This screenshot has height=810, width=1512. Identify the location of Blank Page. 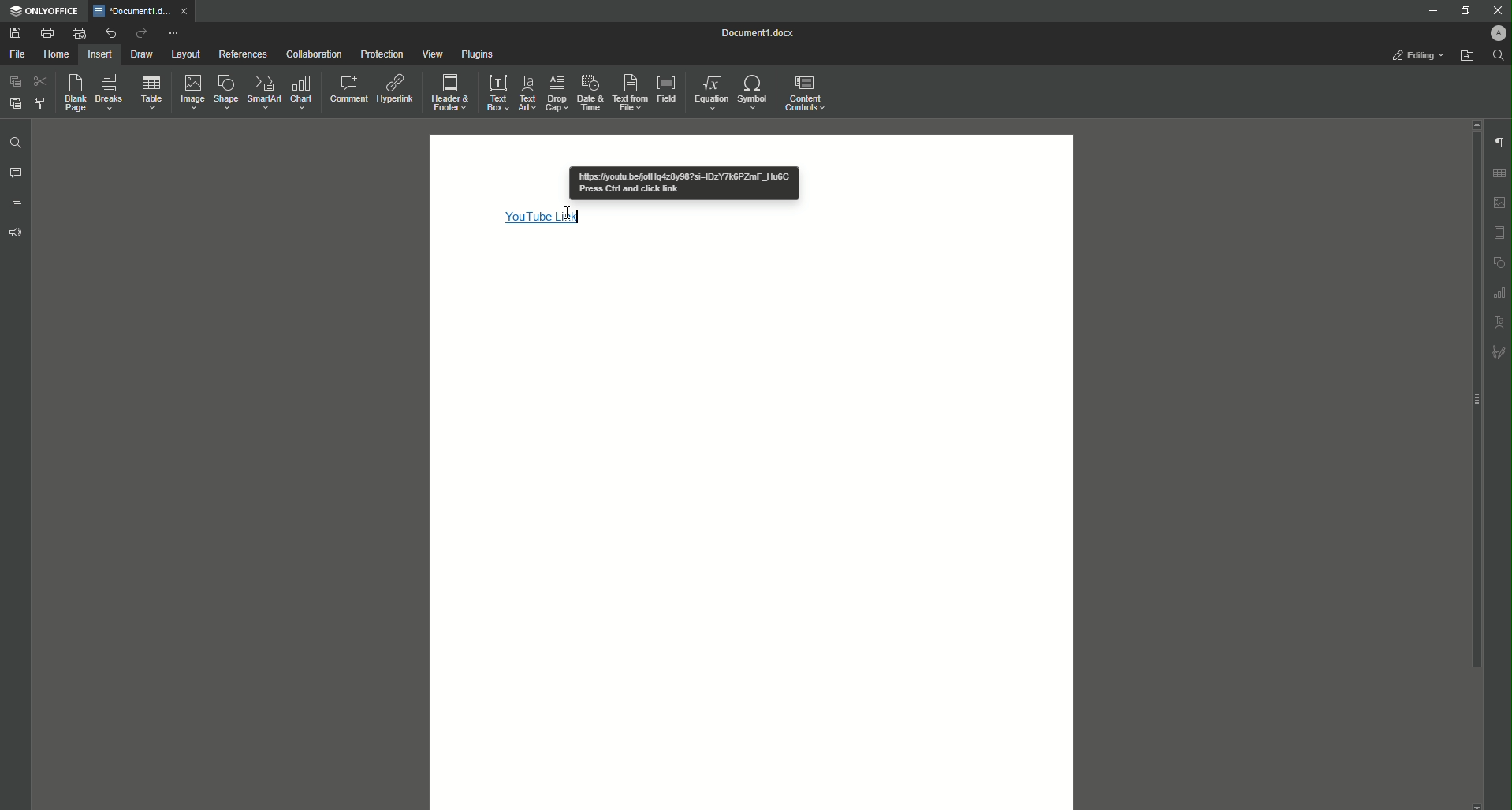
(74, 92).